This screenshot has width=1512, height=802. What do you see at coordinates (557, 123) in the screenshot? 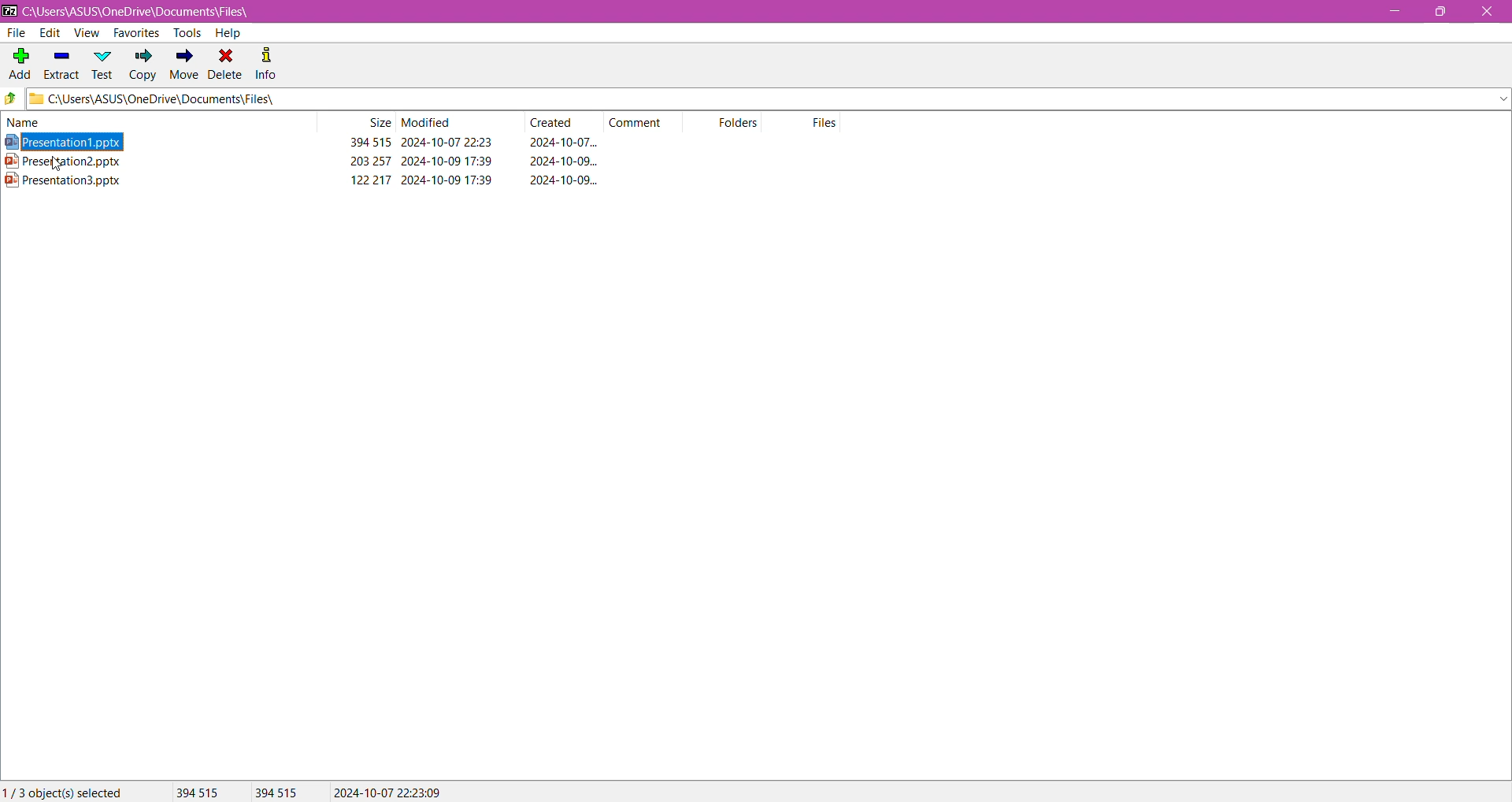
I see `Created` at bounding box center [557, 123].